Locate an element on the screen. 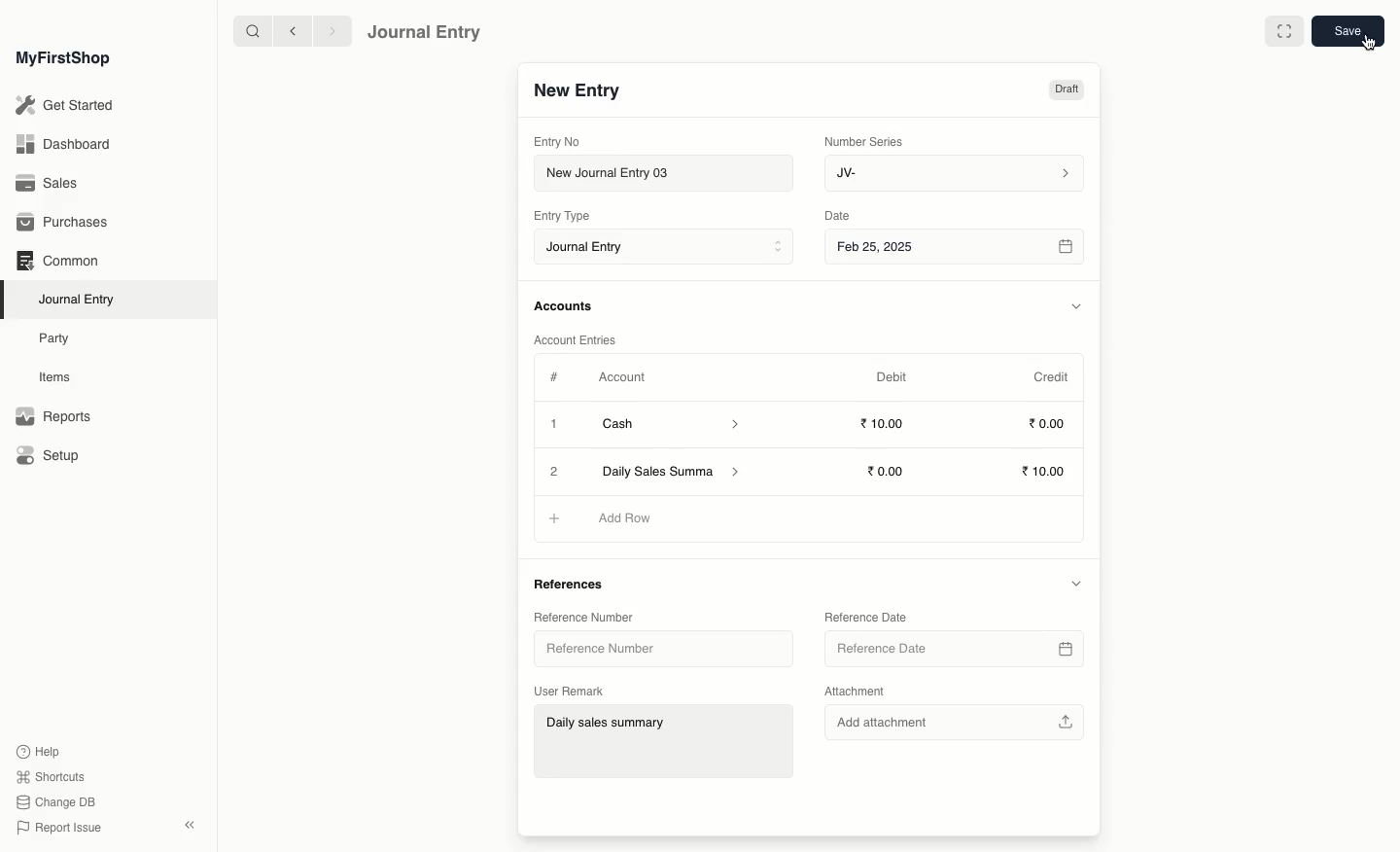 This screenshot has height=852, width=1400. Journal Entry is located at coordinates (82, 299).